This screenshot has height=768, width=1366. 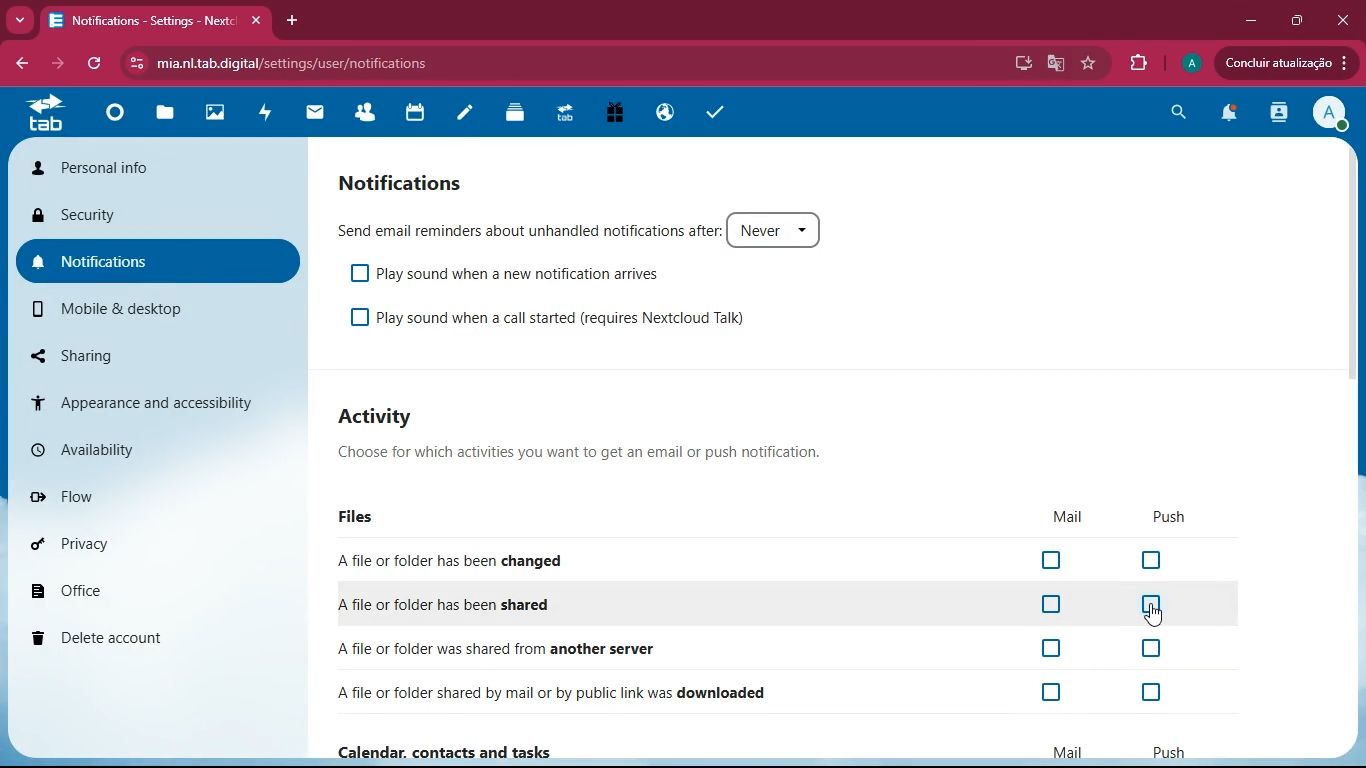 I want to click on gift, so click(x=610, y=115).